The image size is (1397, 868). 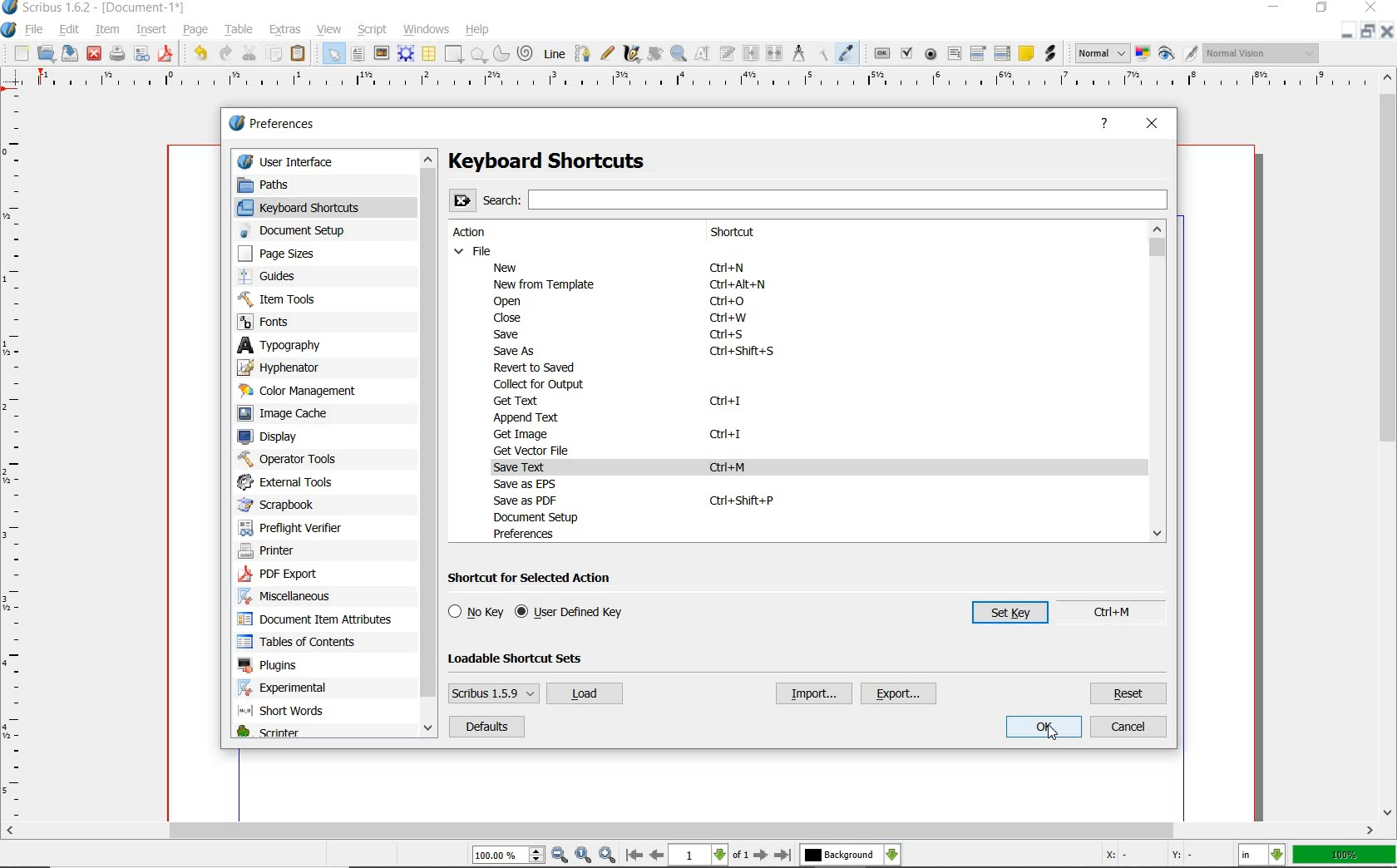 I want to click on shape, so click(x=455, y=54).